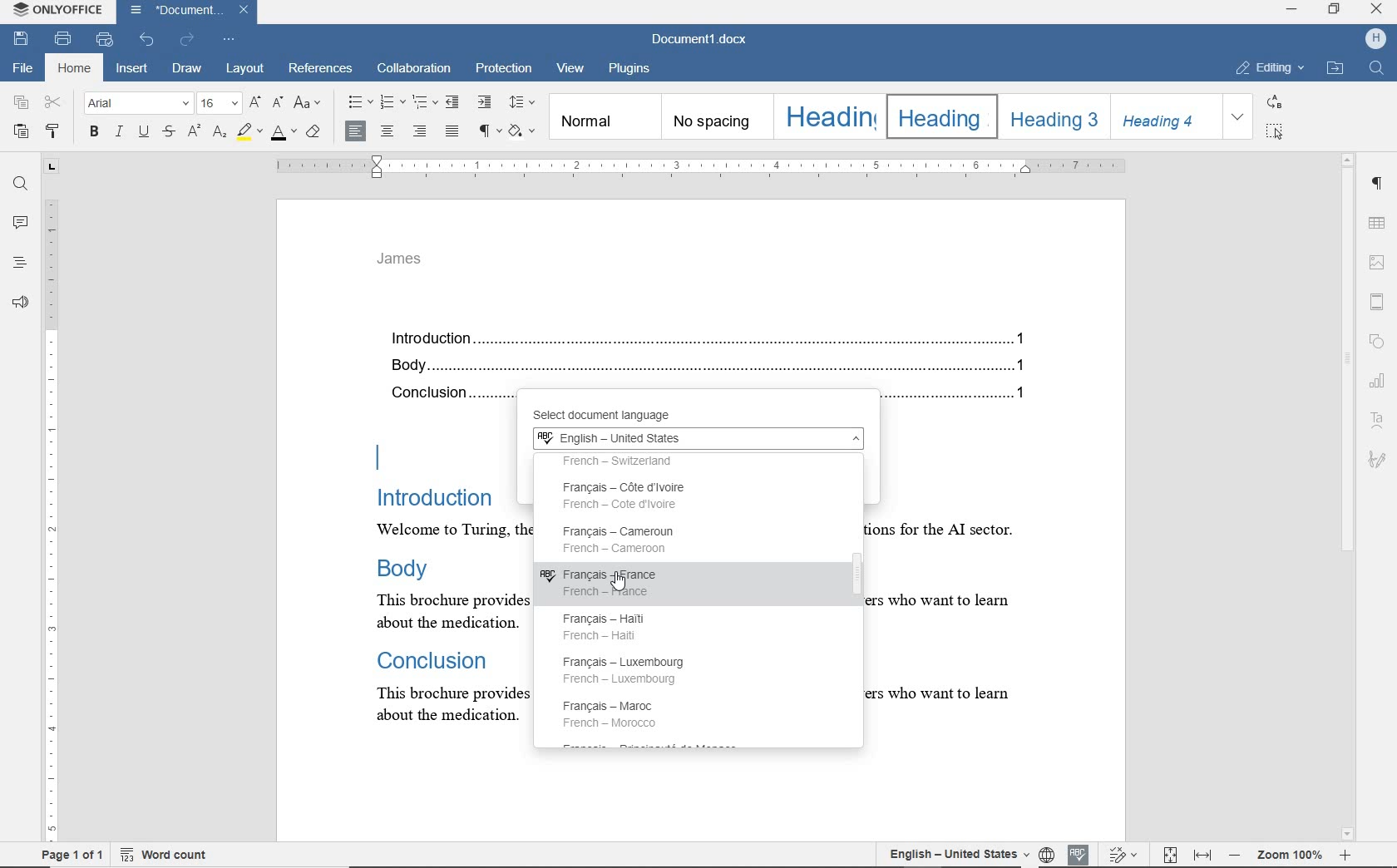 The height and width of the screenshot is (868, 1397). I want to click on select document language, so click(625, 416).